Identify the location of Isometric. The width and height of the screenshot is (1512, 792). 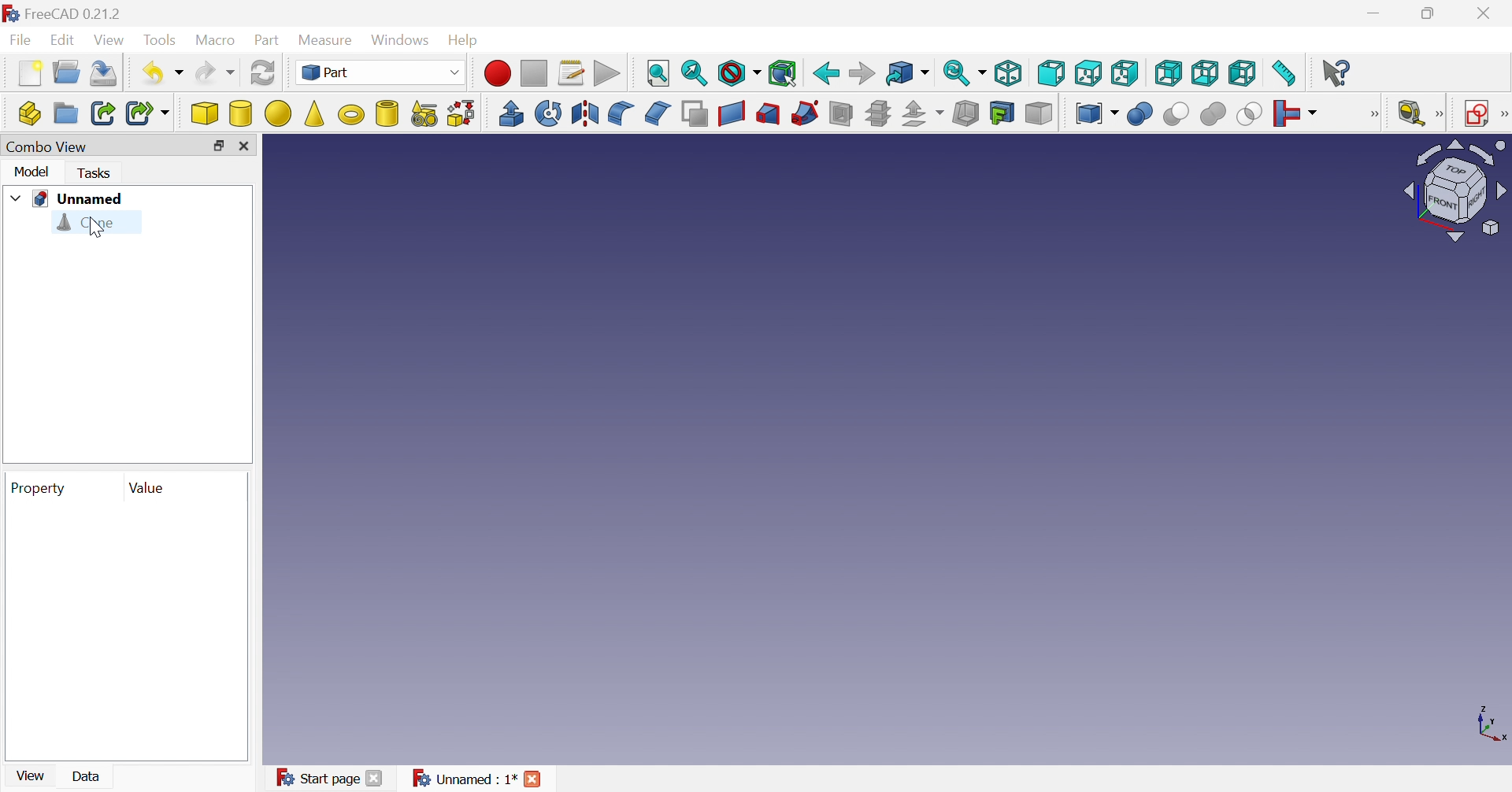
(1010, 72).